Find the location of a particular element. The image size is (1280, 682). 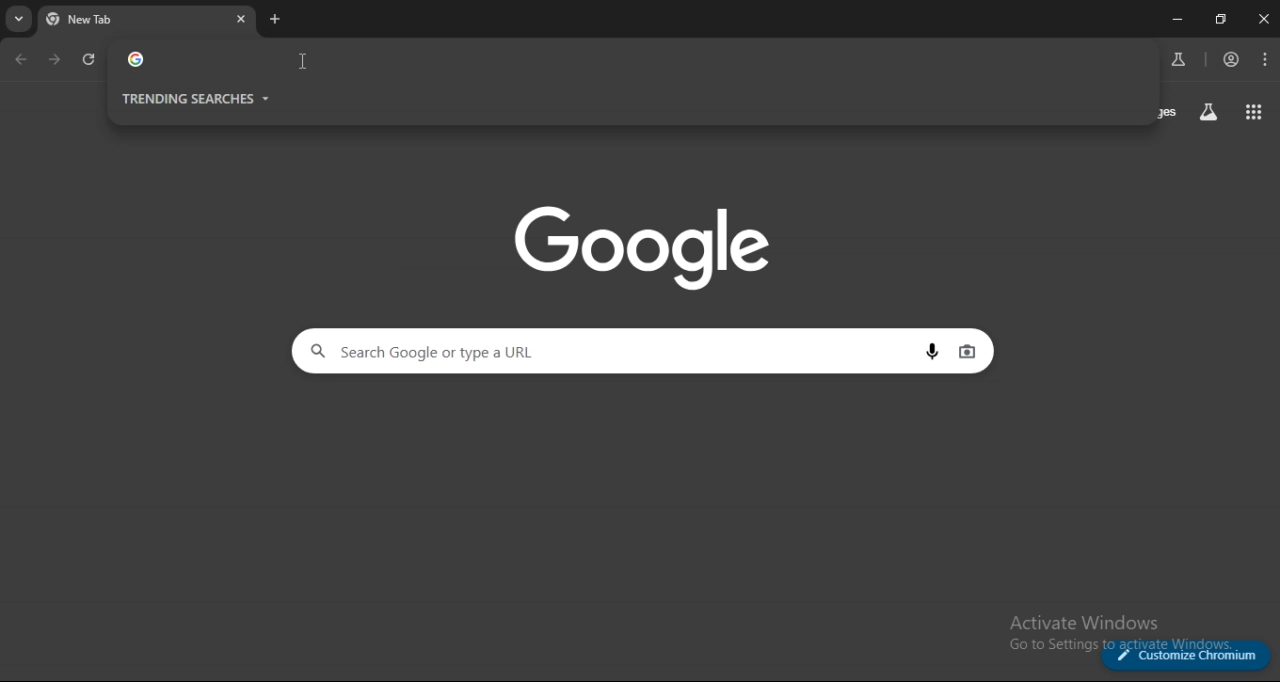

menu is located at coordinates (1266, 60).